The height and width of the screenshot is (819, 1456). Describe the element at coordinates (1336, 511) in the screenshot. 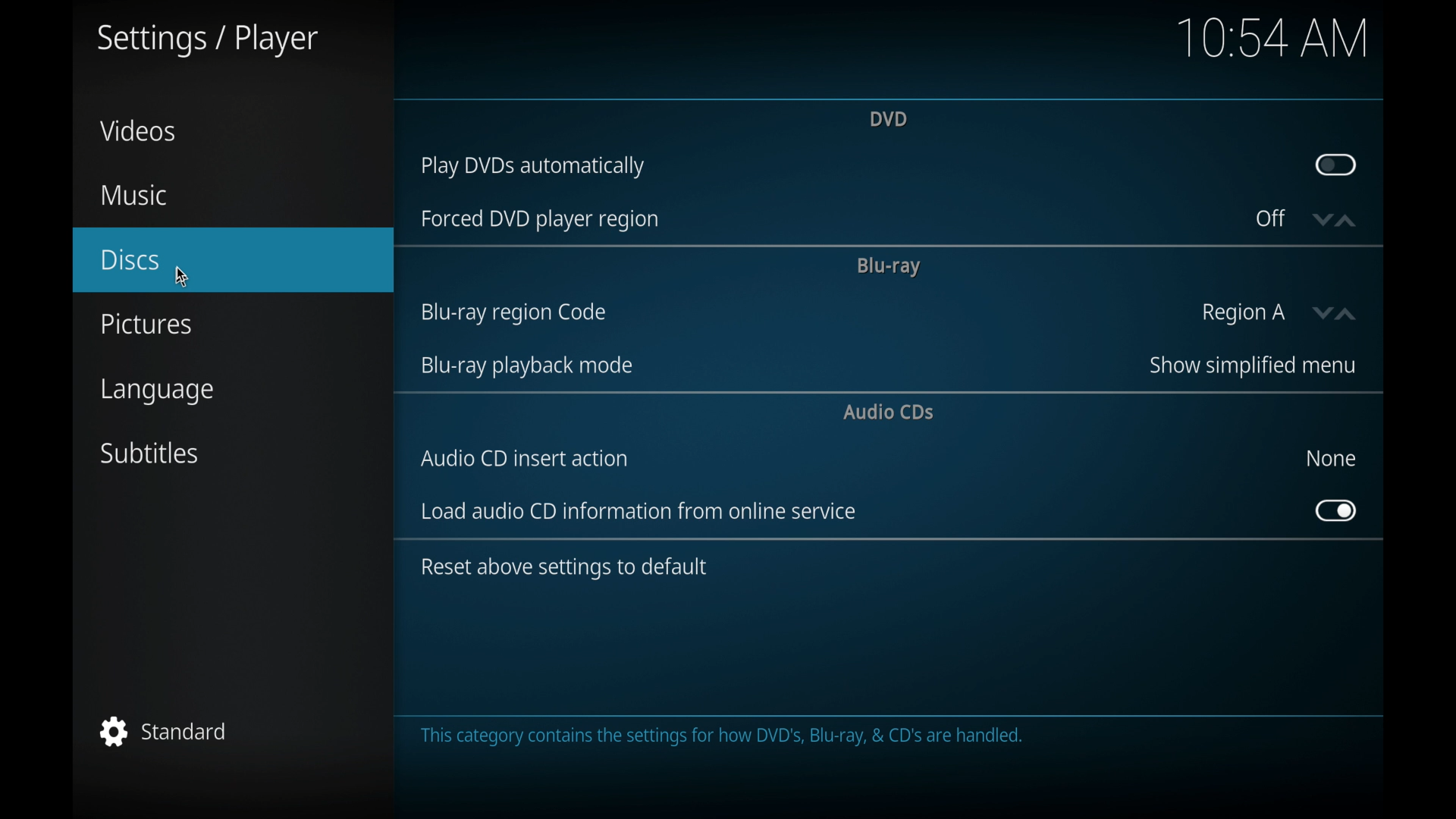

I see `toggle button` at that location.